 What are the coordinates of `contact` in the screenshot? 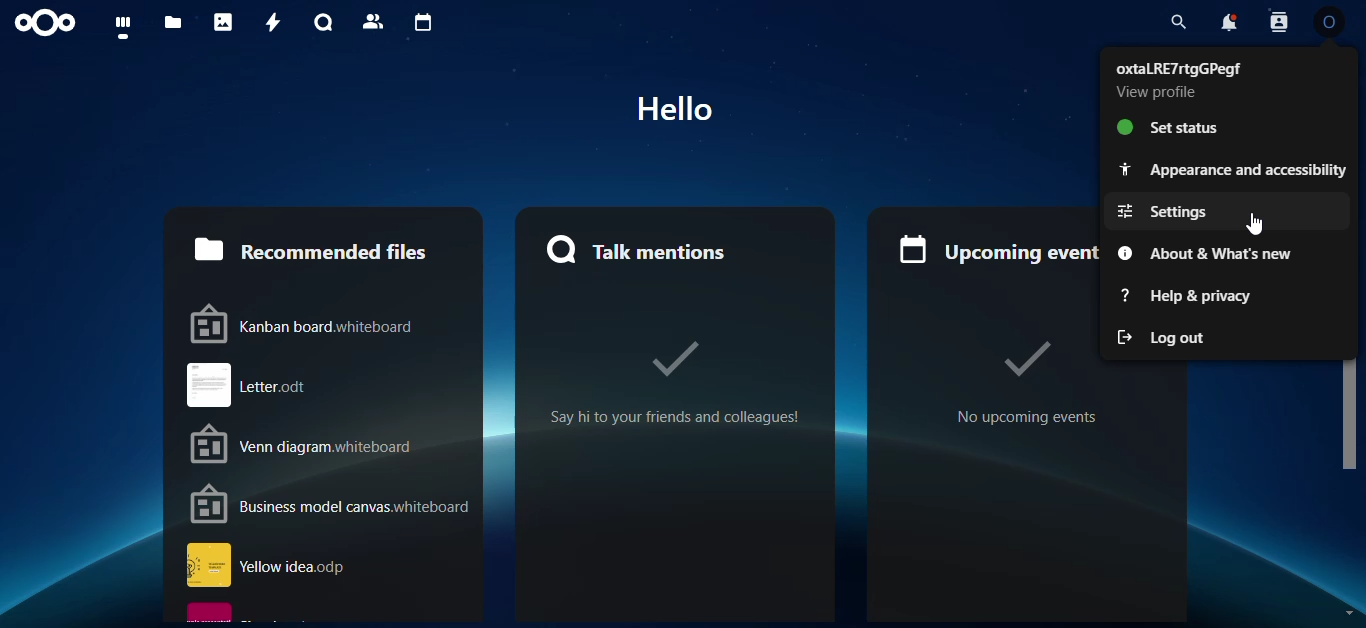 It's located at (1278, 22).